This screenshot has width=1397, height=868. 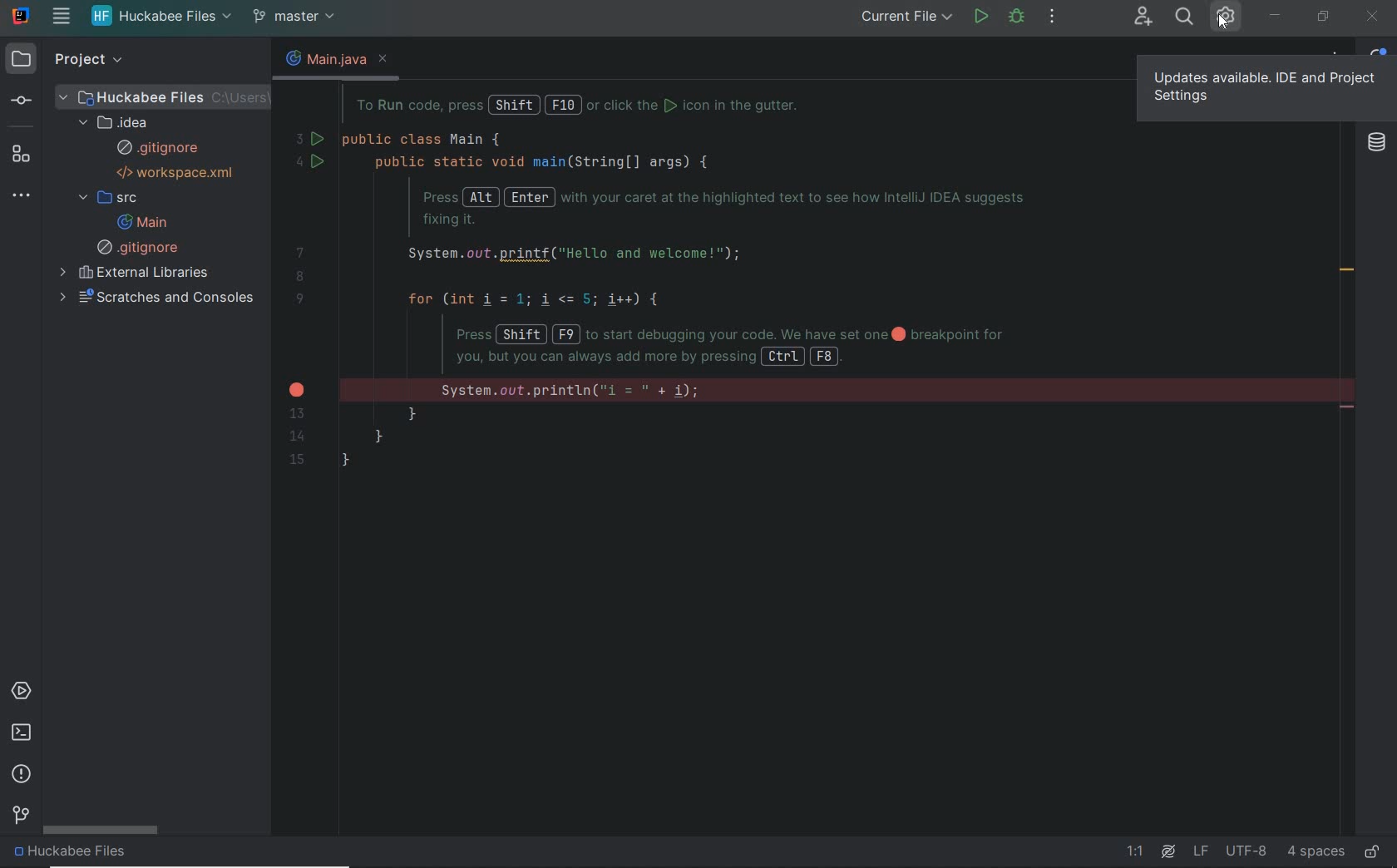 I want to click on system name, so click(x=20, y=16).